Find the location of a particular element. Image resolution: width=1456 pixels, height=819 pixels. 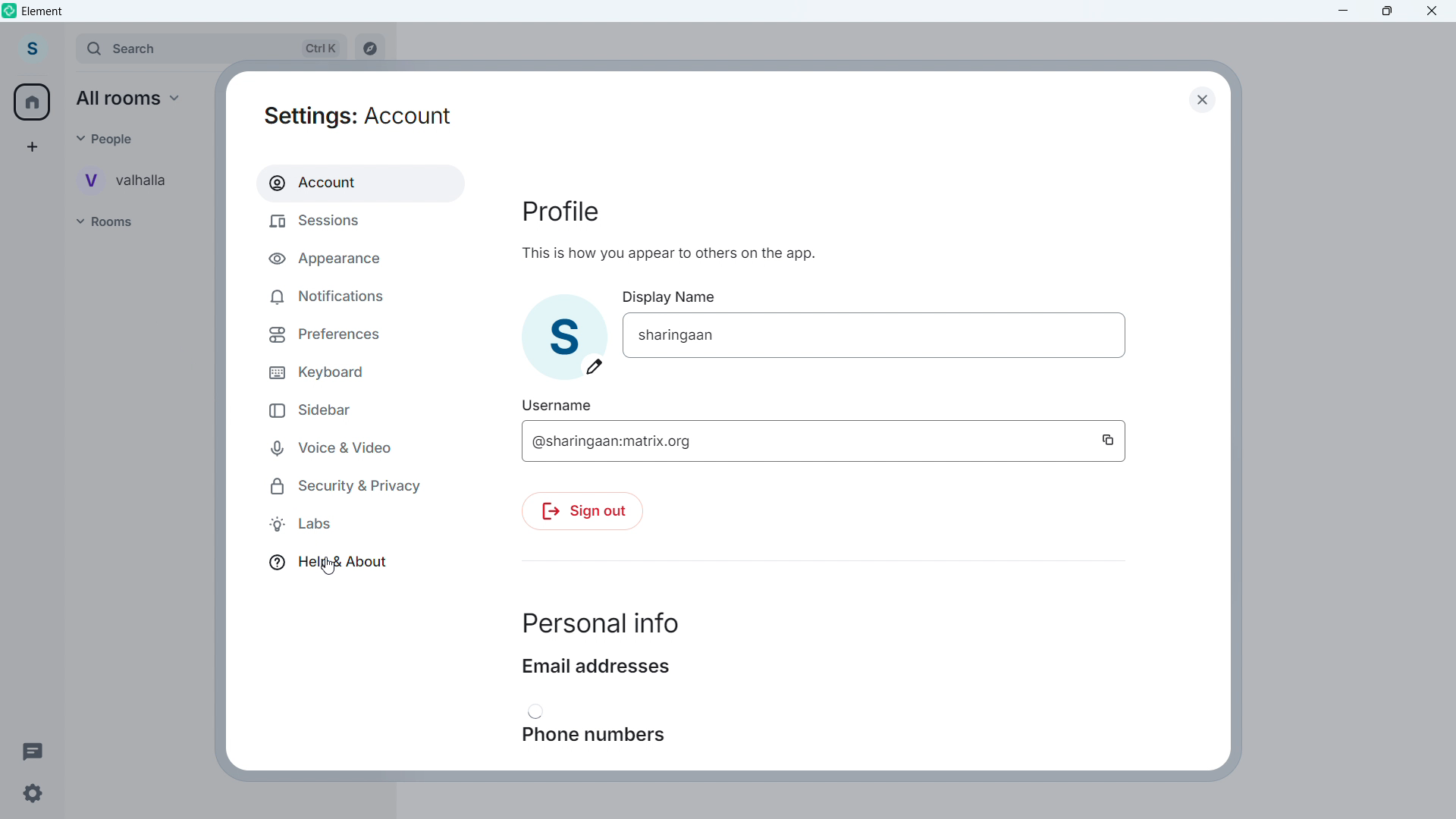

Display Name is located at coordinates (675, 296).